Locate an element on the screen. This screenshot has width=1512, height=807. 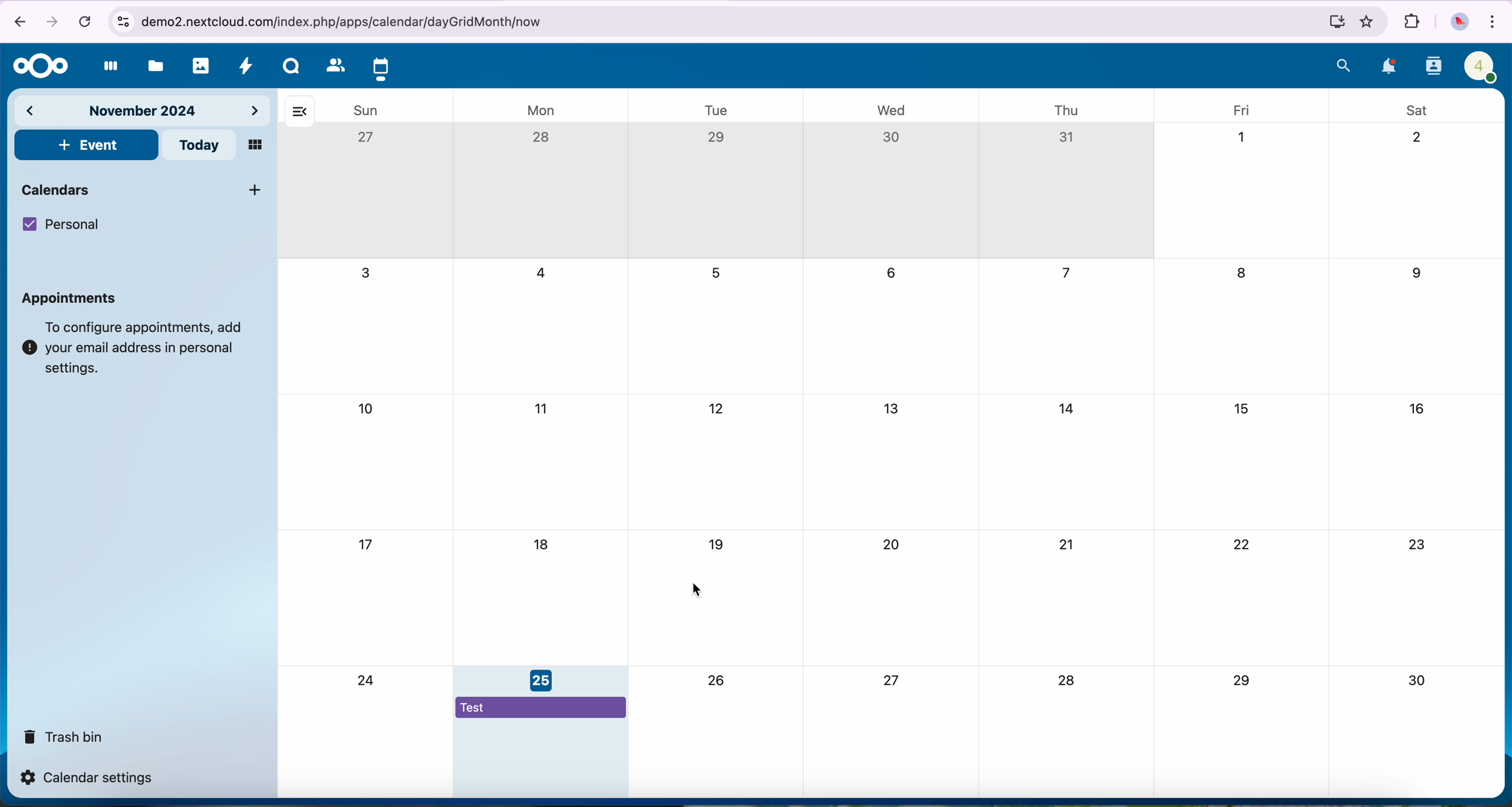
10 is located at coordinates (367, 408).